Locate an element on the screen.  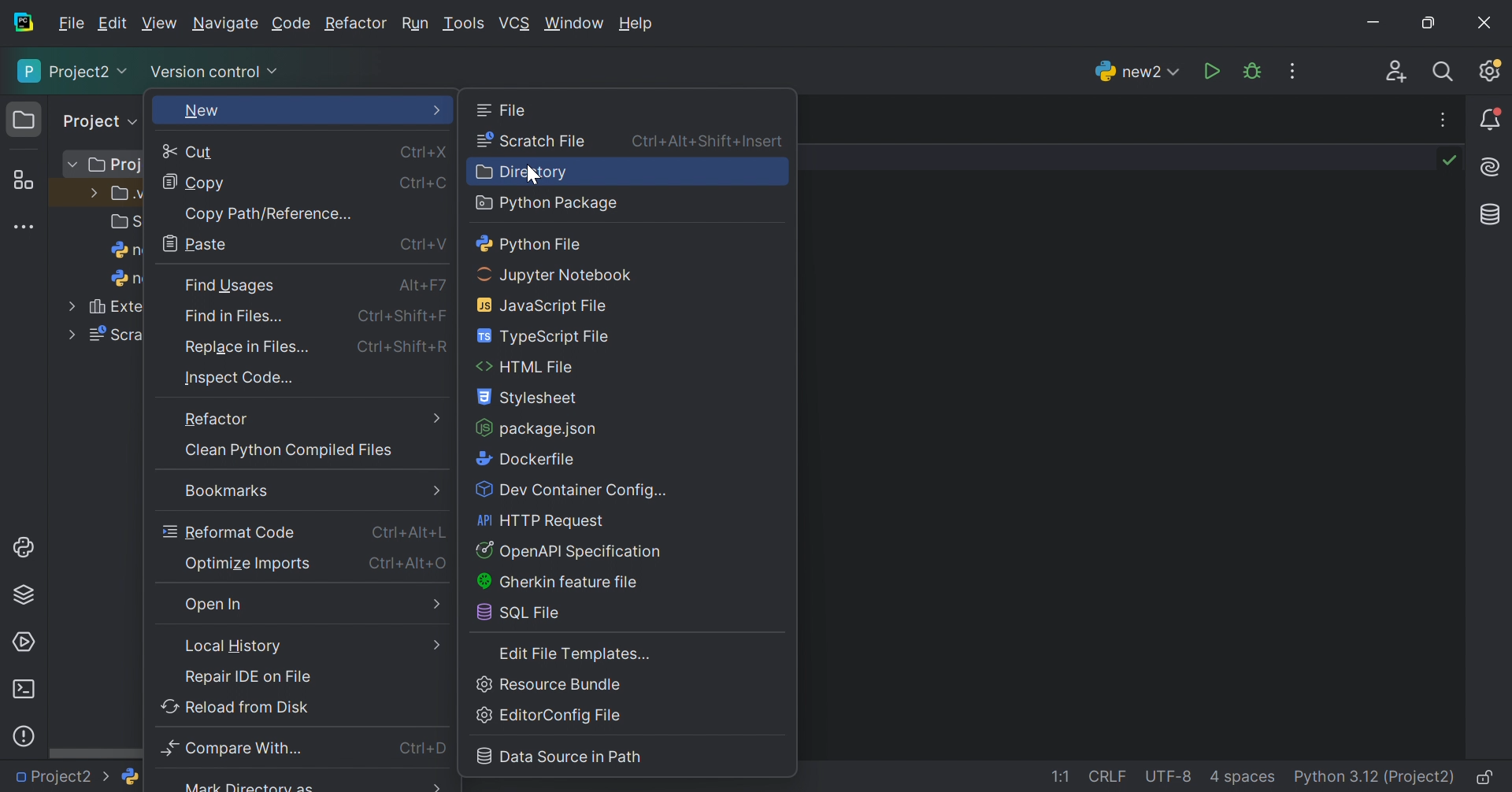
Mark Directory as is located at coordinates (250, 786).